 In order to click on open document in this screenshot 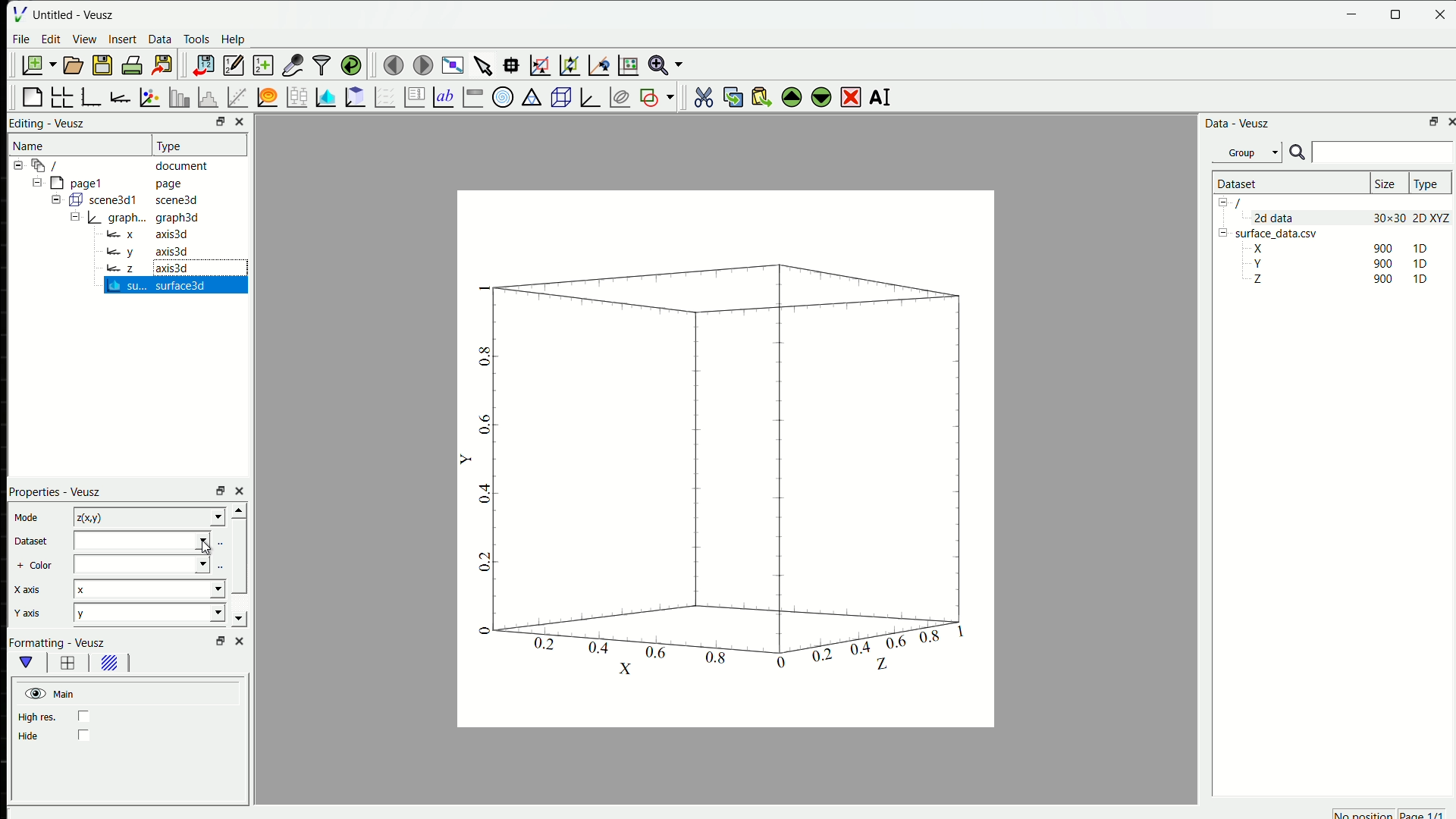, I will do `click(74, 65)`.